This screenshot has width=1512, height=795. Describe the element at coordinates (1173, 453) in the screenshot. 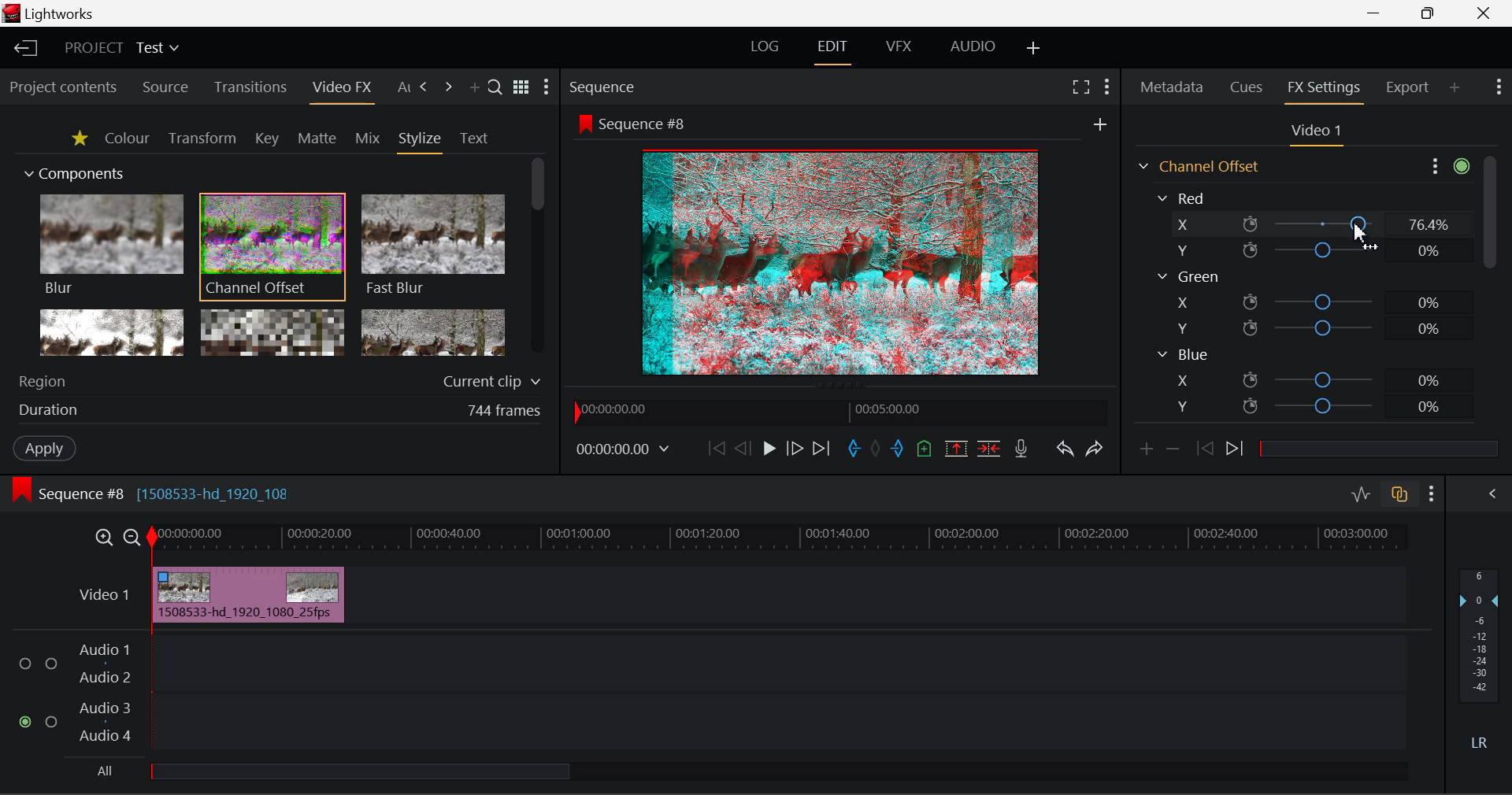

I see `Remove keyframe` at that location.